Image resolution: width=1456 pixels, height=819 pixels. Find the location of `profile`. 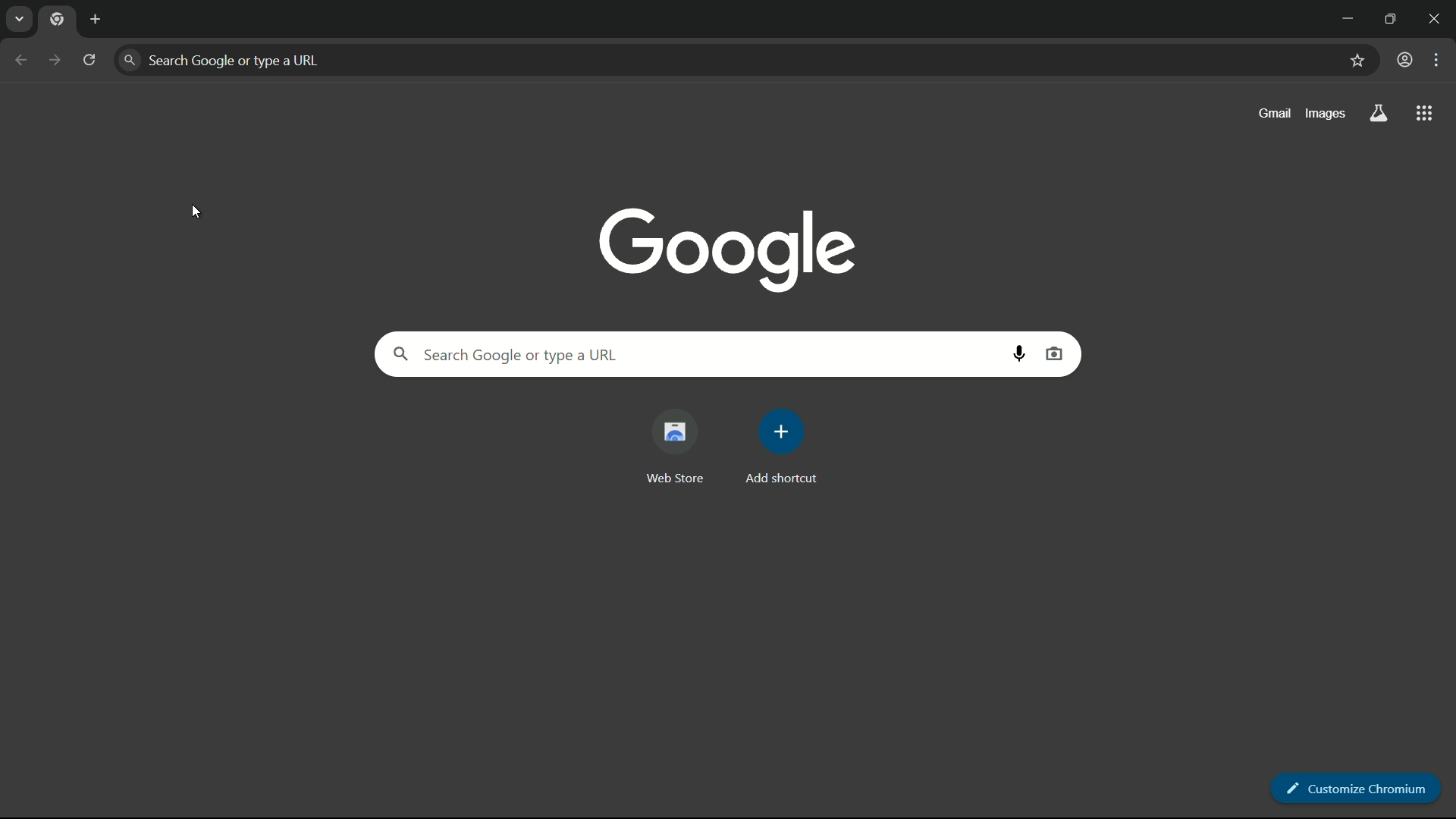

profile is located at coordinates (1405, 60).